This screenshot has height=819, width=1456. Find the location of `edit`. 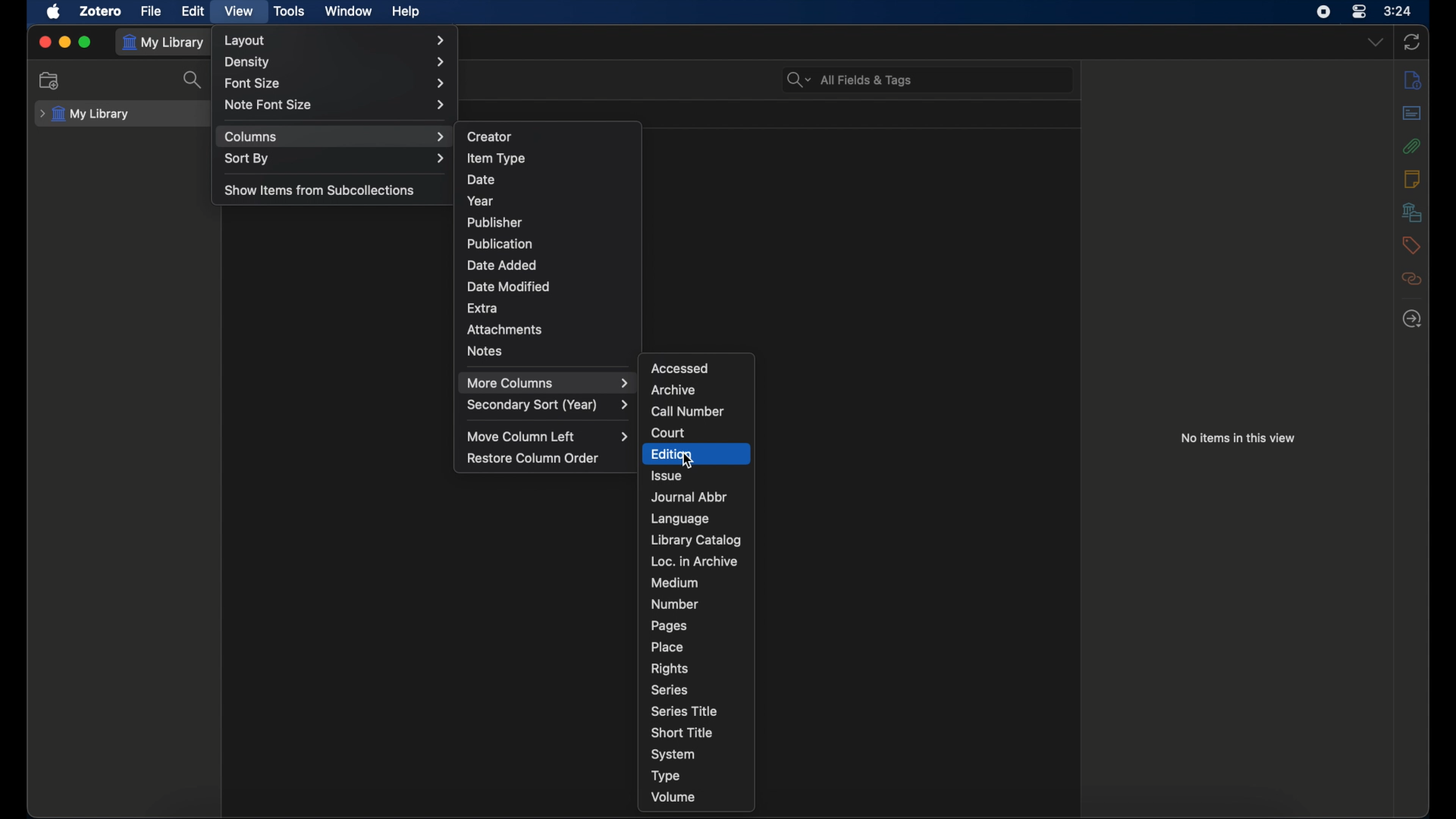

edit is located at coordinates (193, 11).